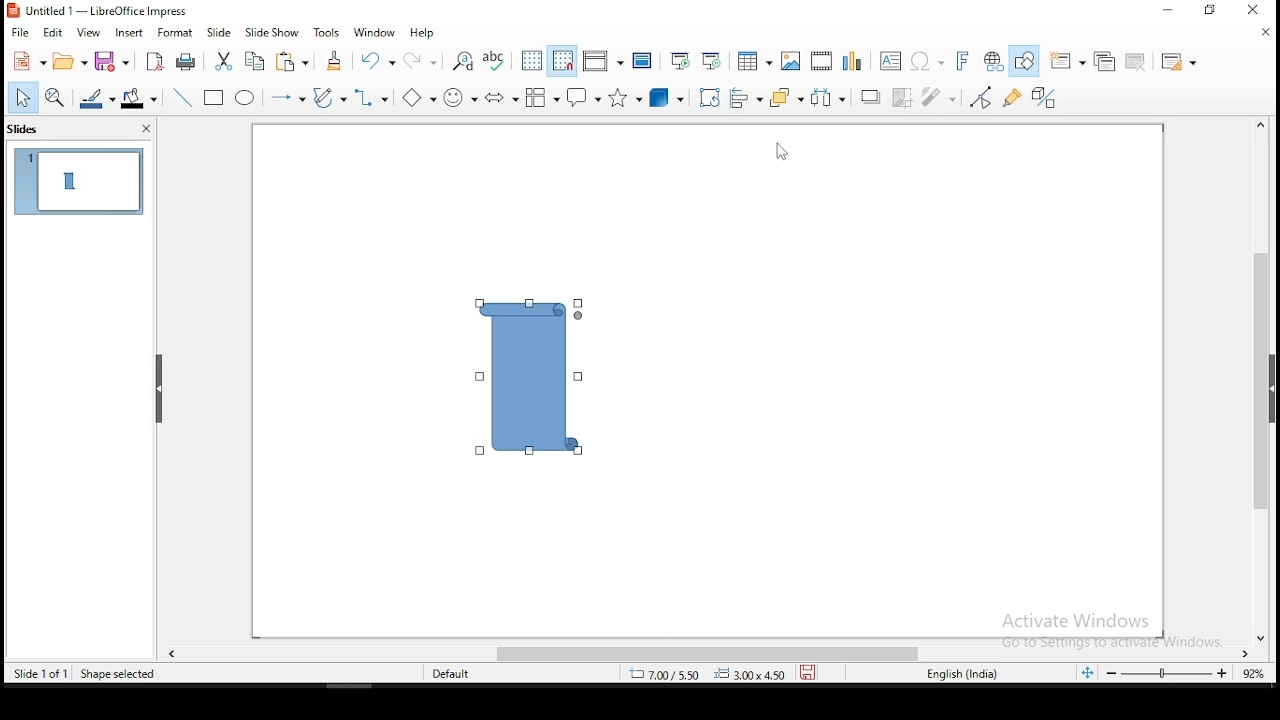 The image size is (1280, 720). I want to click on default, so click(451, 675).